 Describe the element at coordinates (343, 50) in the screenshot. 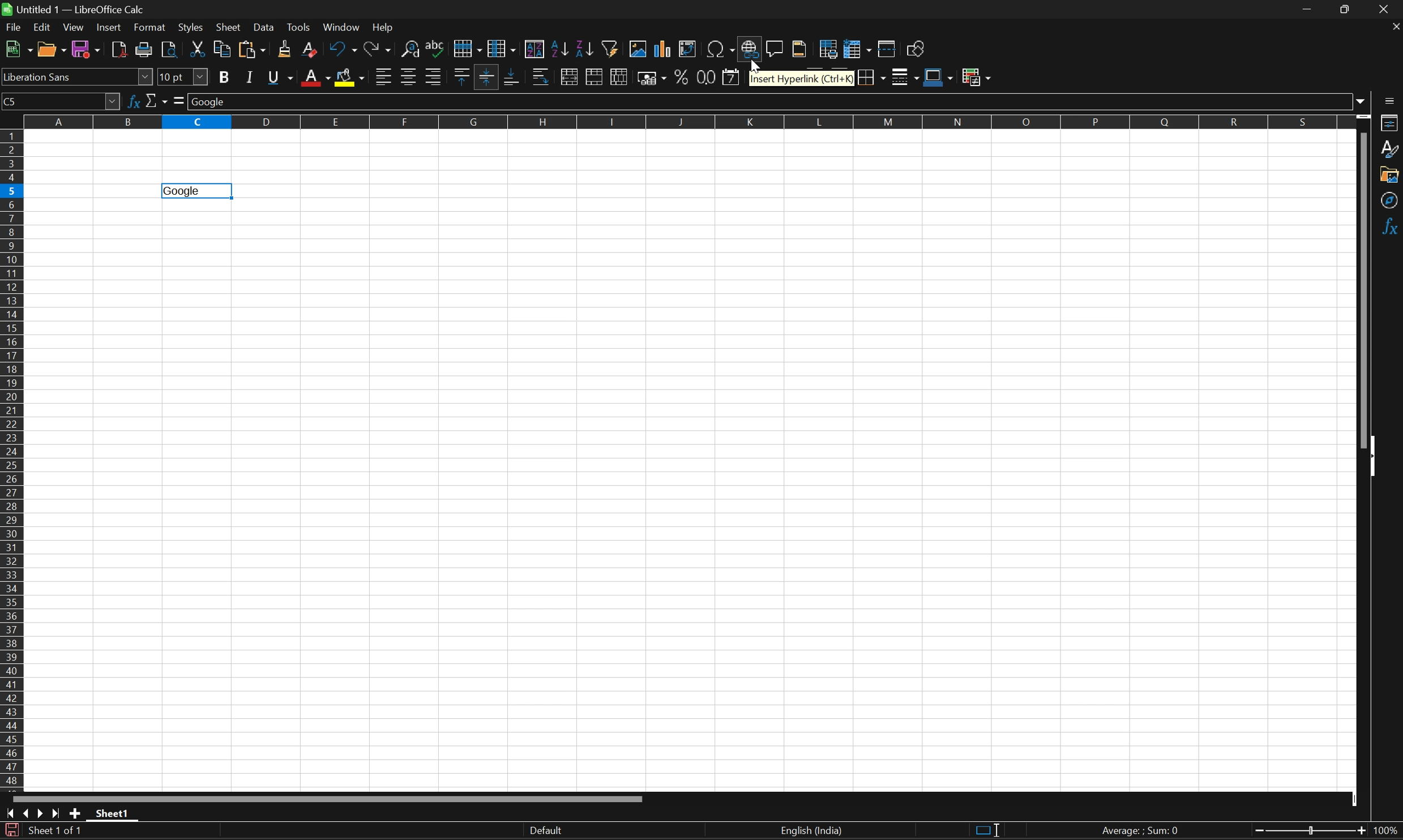

I see `Undo` at that location.